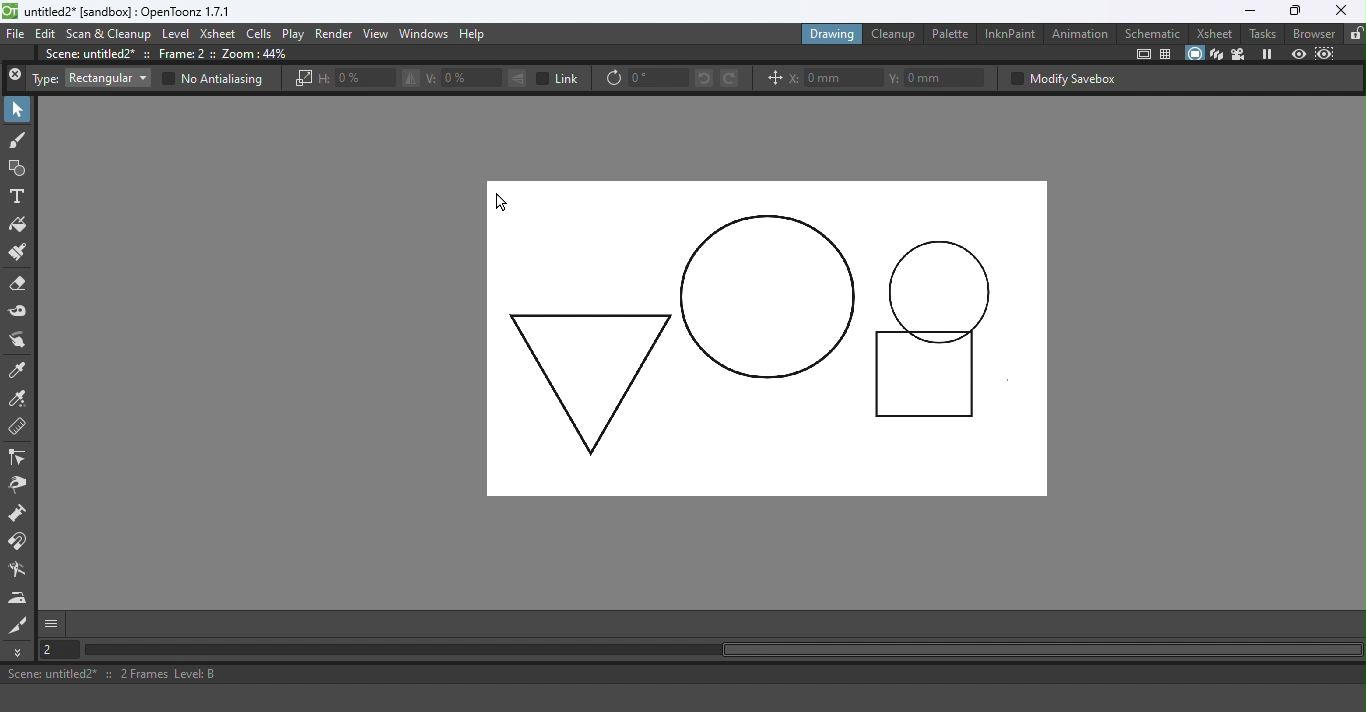  What do you see at coordinates (356, 78) in the screenshot?
I see `H: 0%` at bounding box center [356, 78].